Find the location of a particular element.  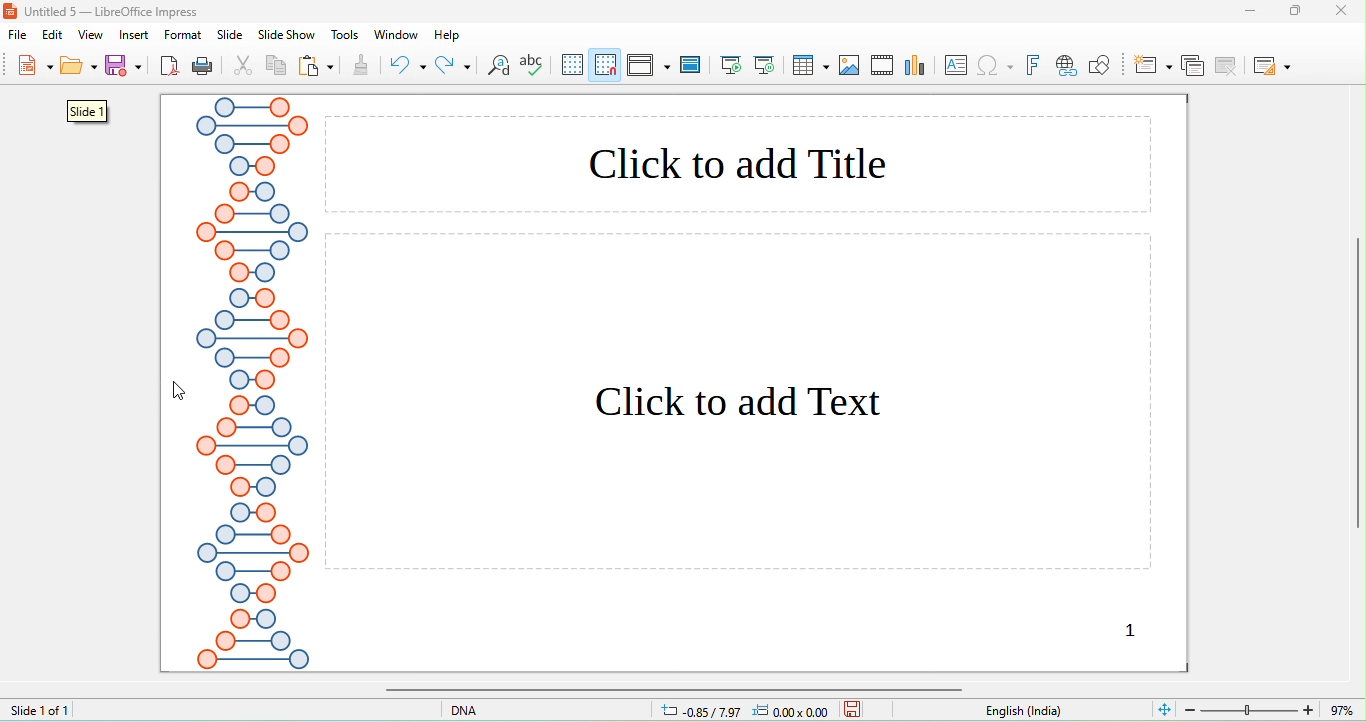

hyperlink is located at coordinates (1065, 67).